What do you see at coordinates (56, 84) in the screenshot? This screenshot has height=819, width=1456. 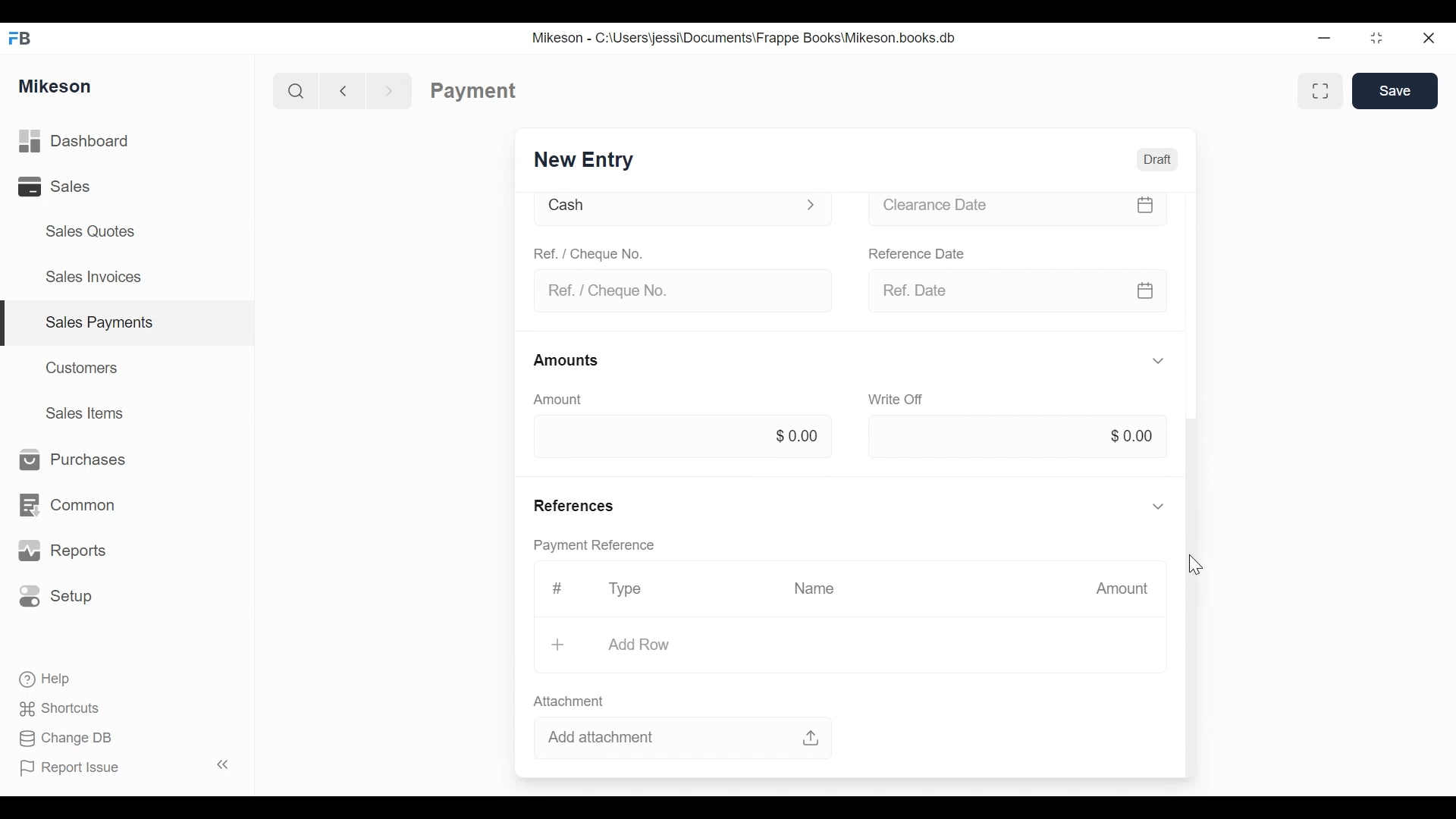 I see `Mikeson` at bounding box center [56, 84].